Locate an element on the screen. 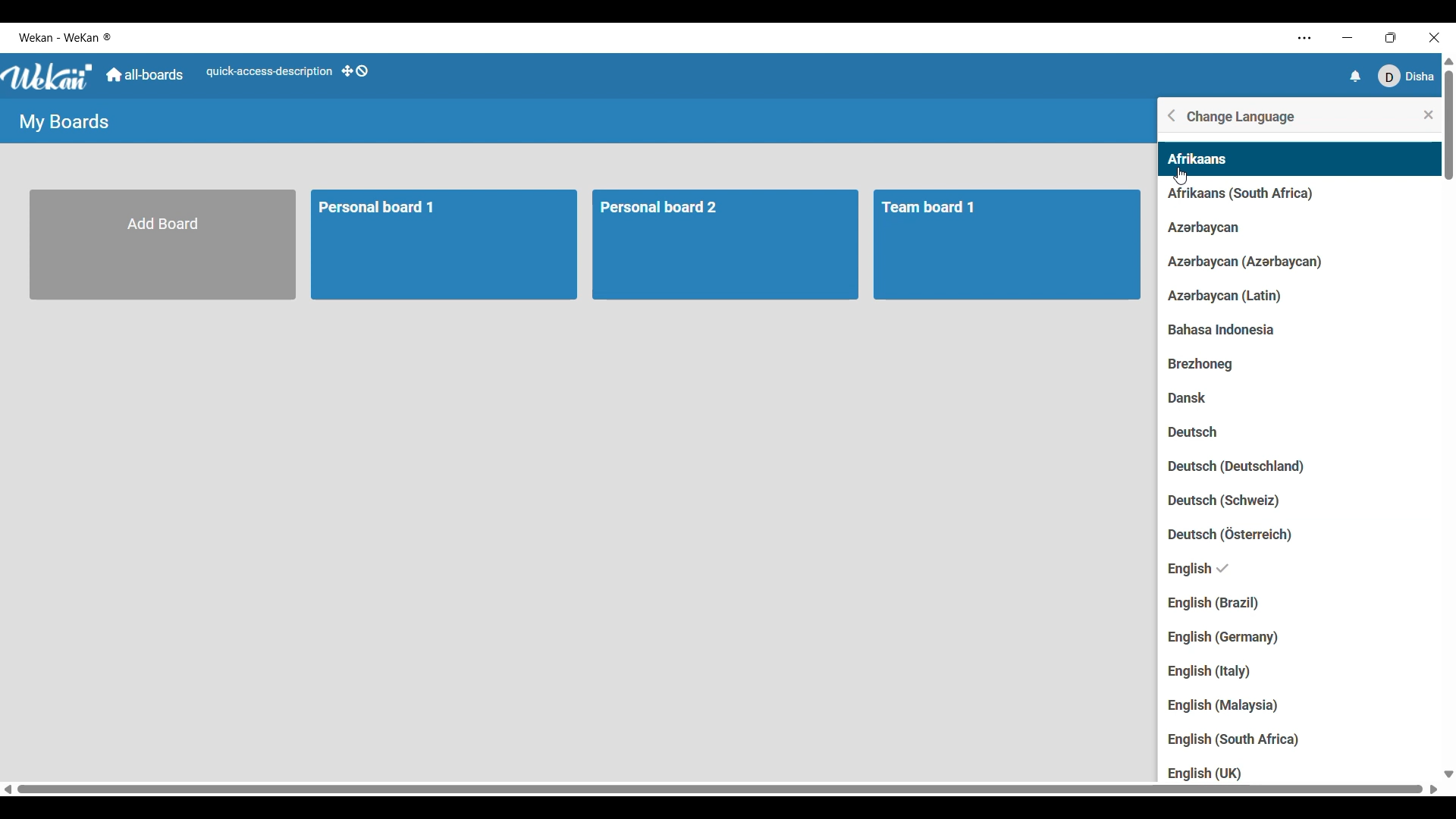  Quick slide to right is located at coordinates (1434, 789).